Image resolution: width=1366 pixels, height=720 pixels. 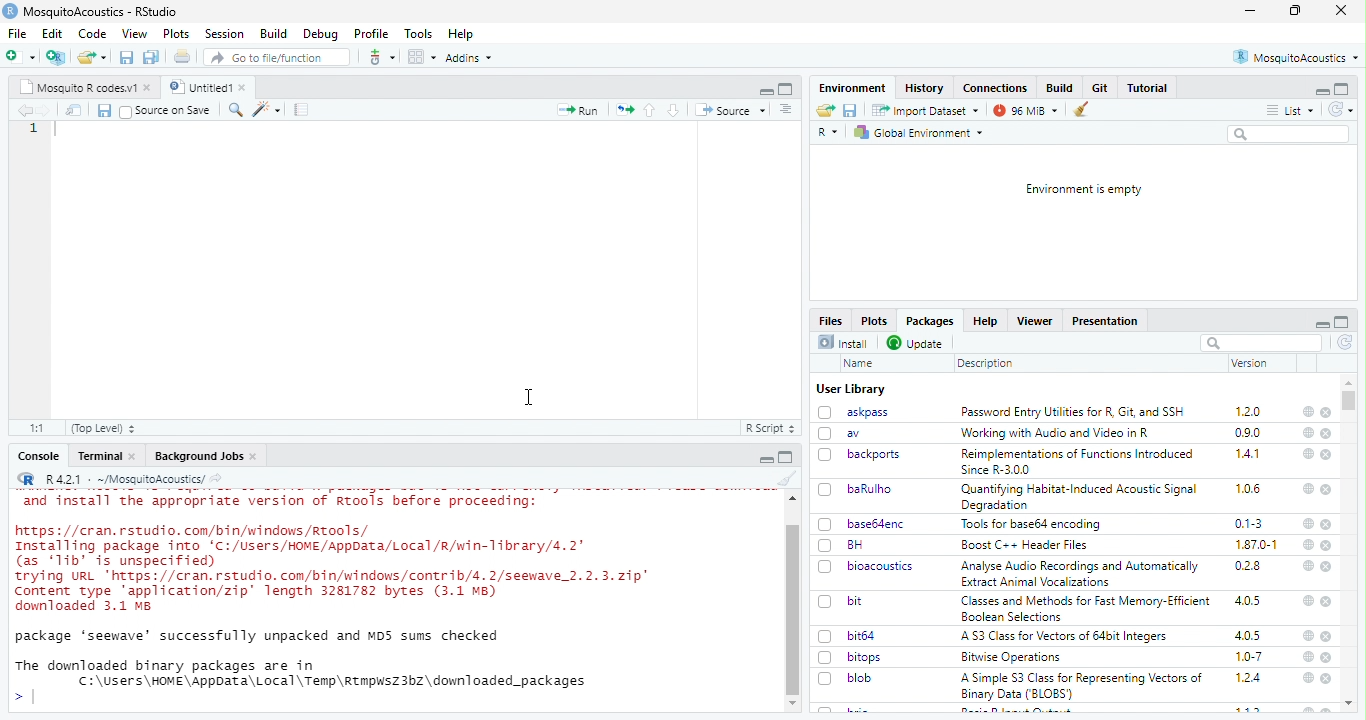 What do you see at coordinates (826, 568) in the screenshot?
I see `checkbox` at bounding box center [826, 568].